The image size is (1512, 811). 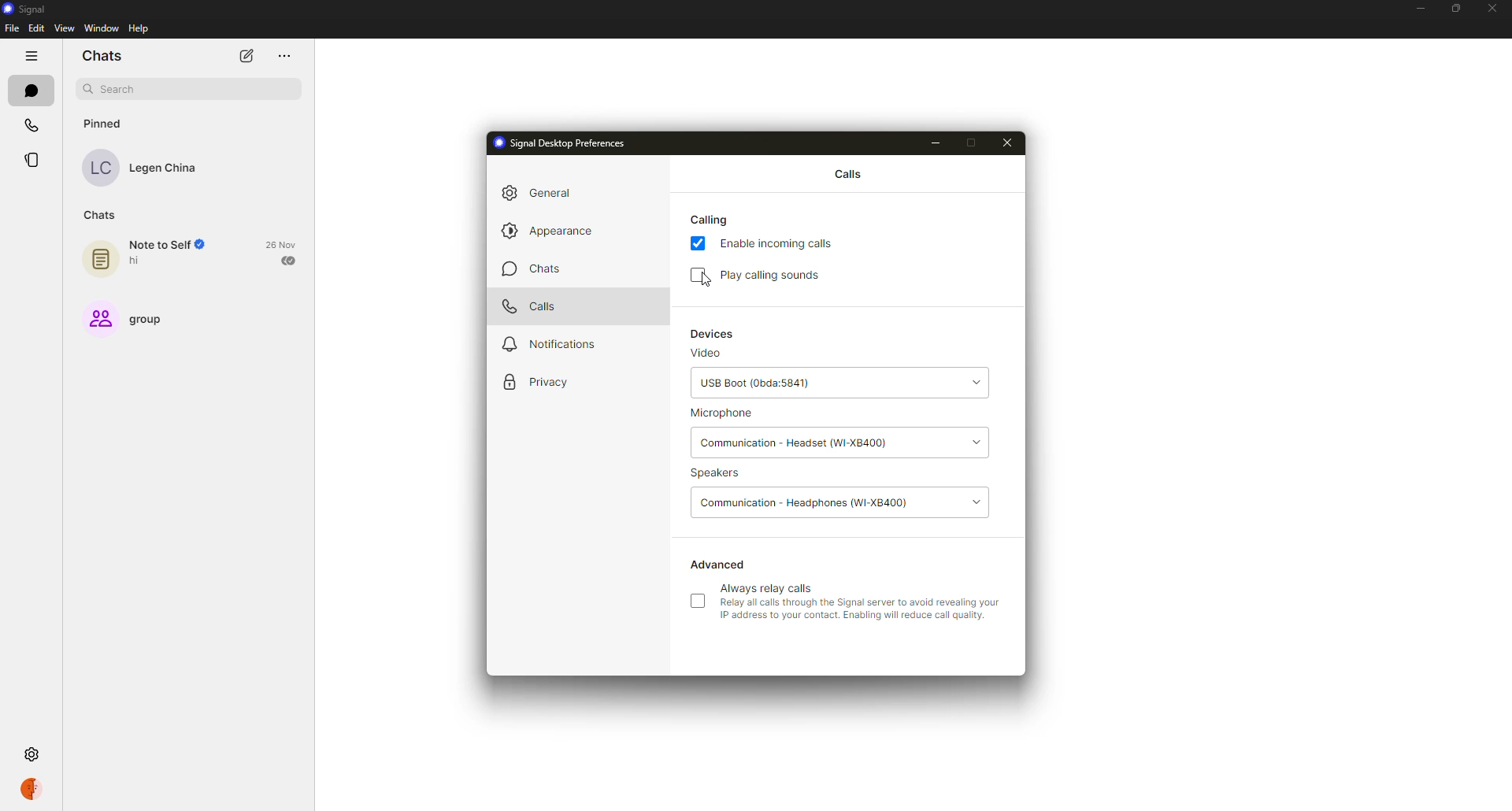 What do you see at coordinates (106, 57) in the screenshot?
I see `chats` at bounding box center [106, 57].